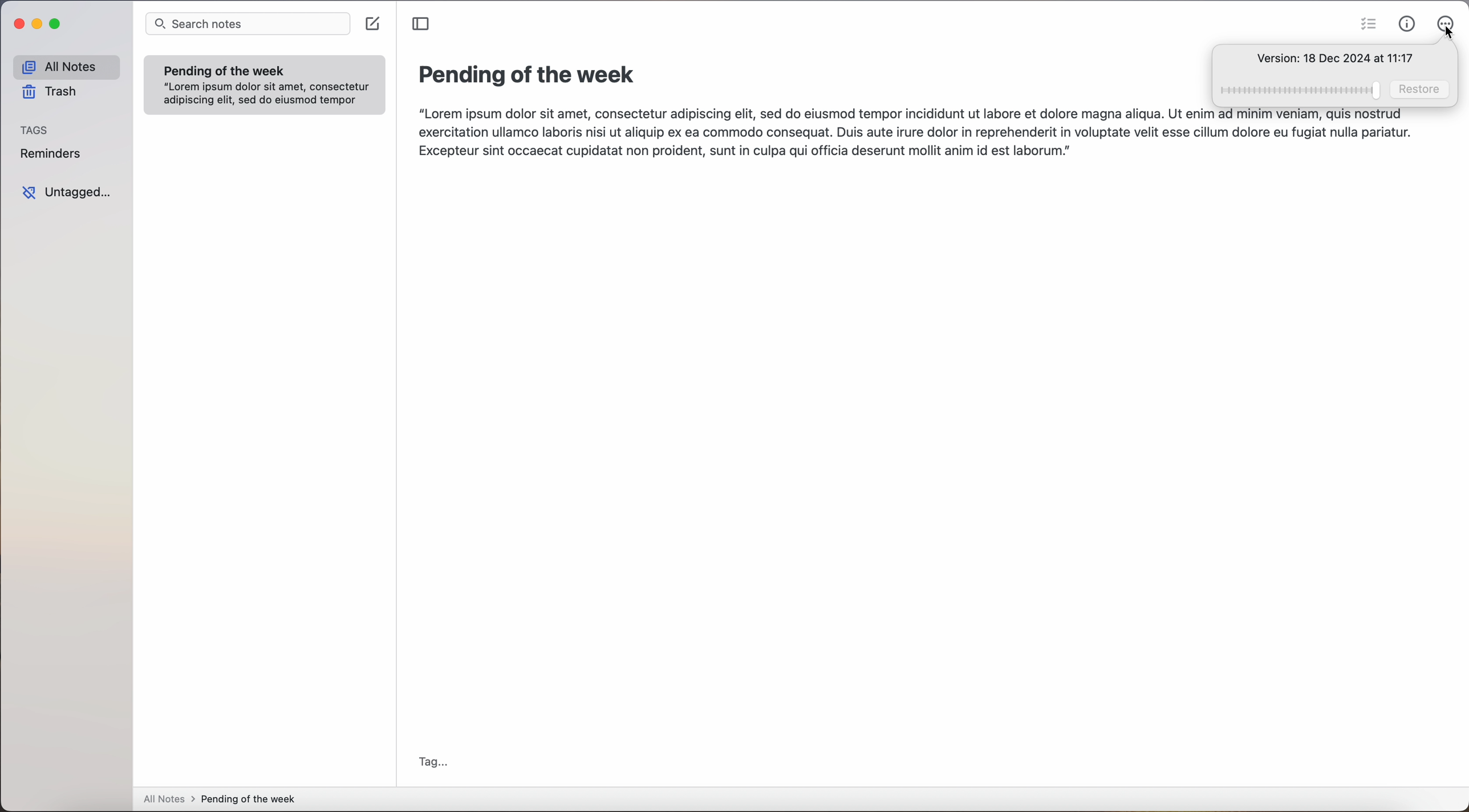  I want to click on all notes > Pending of the week, so click(223, 801).